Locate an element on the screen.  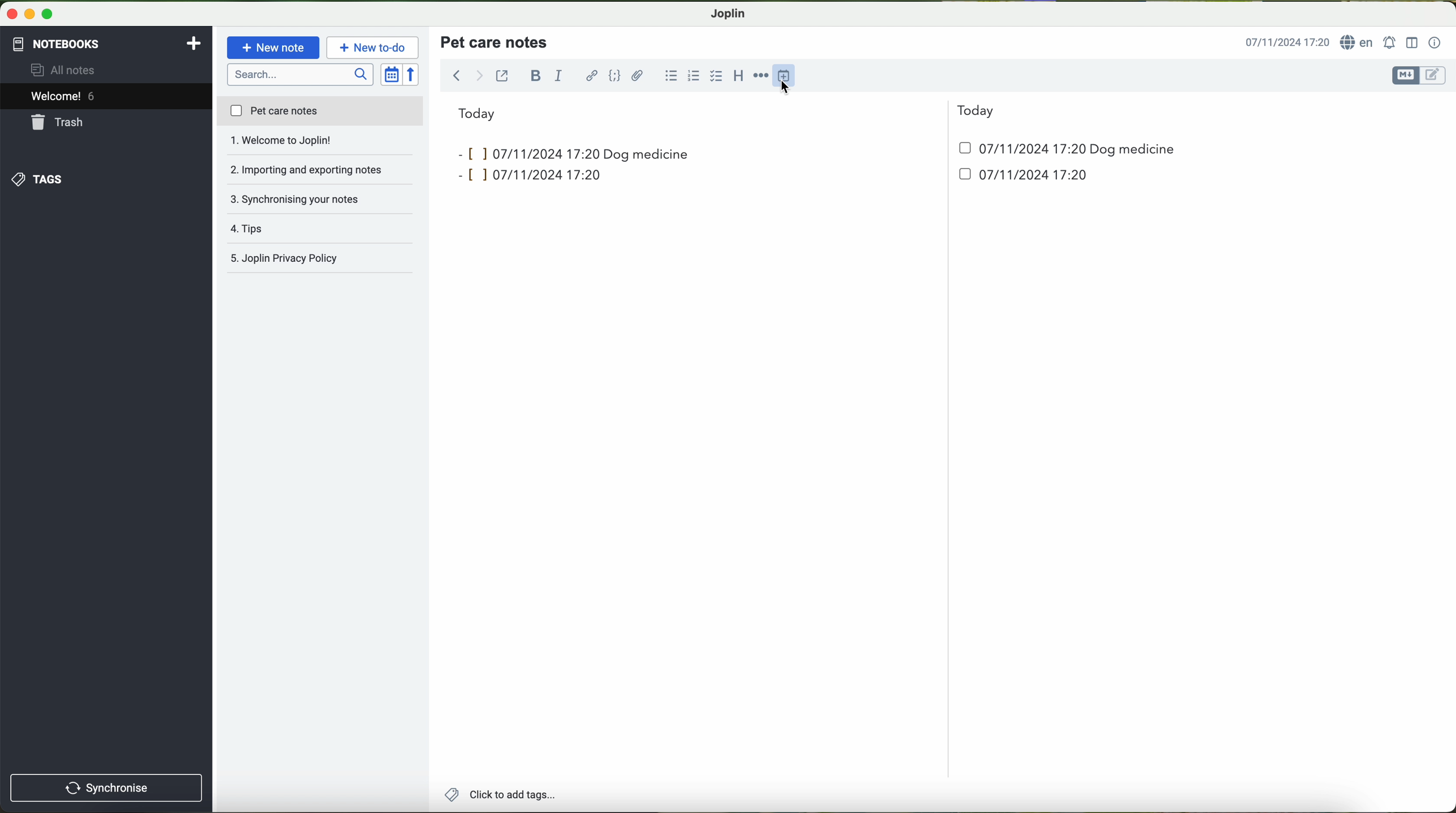
navigation arrows is located at coordinates (466, 75).